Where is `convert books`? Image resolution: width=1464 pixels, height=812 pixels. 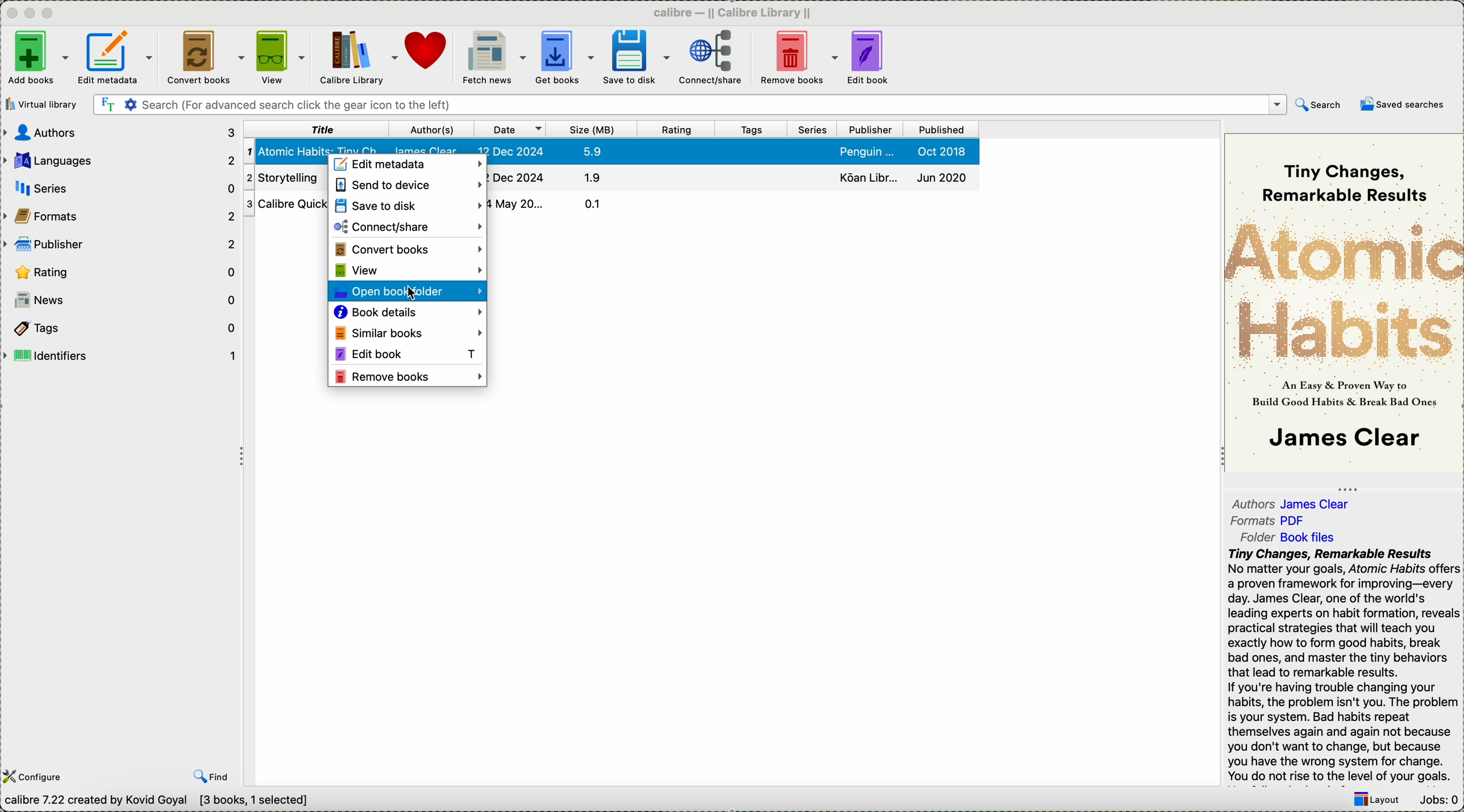
convert books is located at coordinates (408, 248).